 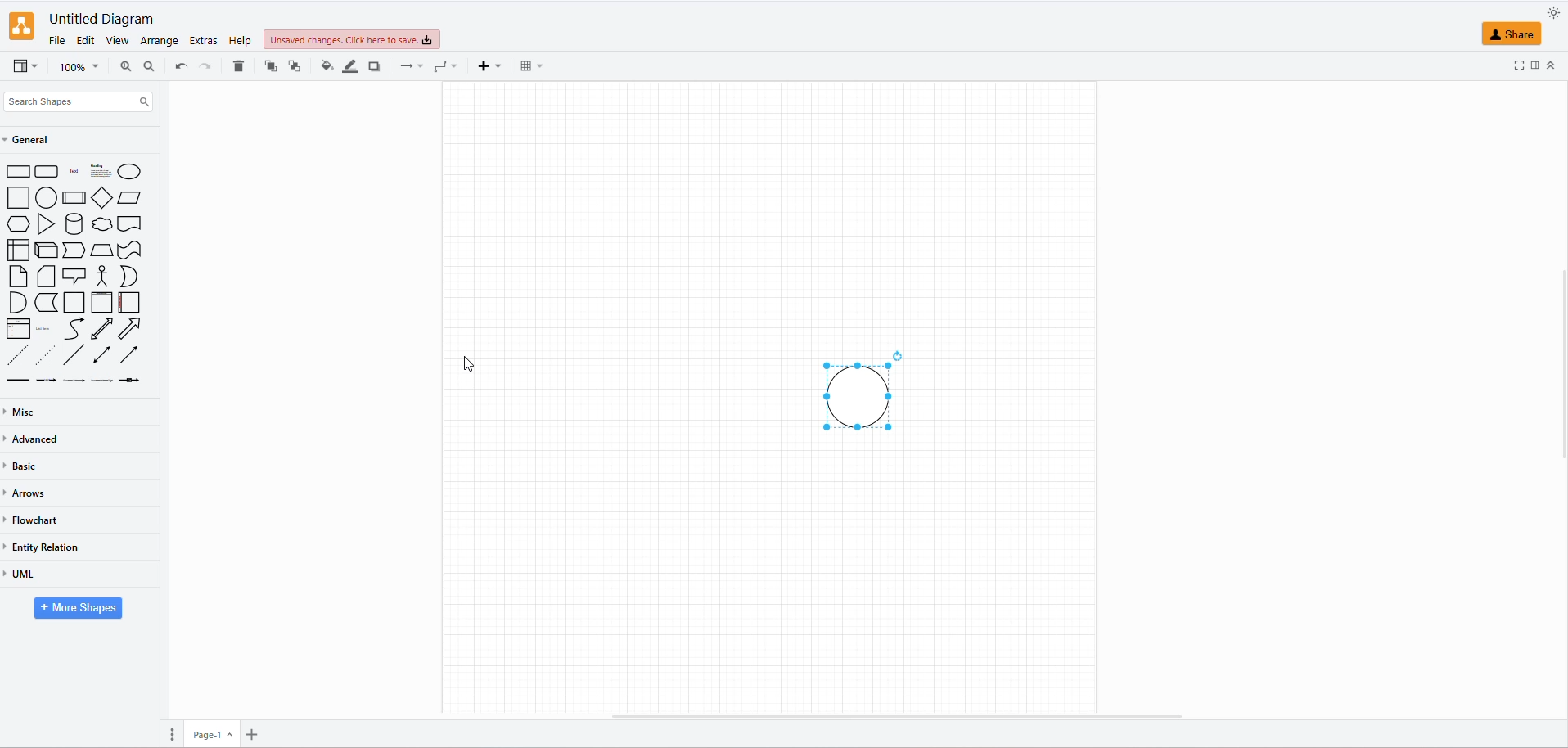 What do you see at coordinates (526, 70) in the screenshot?
I see `TABLE` at bounding box center [526, 70].